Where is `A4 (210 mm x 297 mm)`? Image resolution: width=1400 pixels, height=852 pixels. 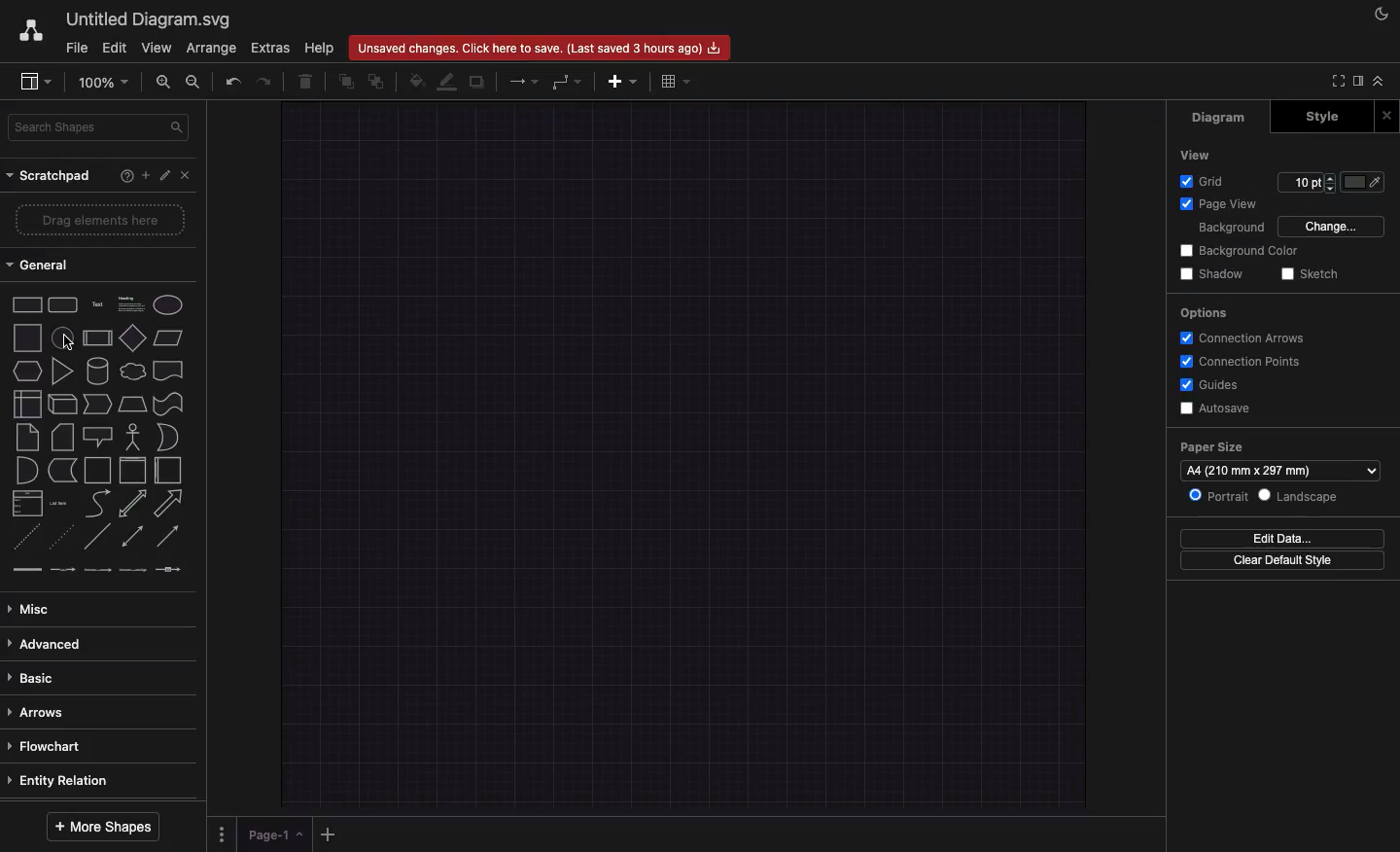
A4 (210 mm x 297 mm) is located at coordinates (1256, 470).